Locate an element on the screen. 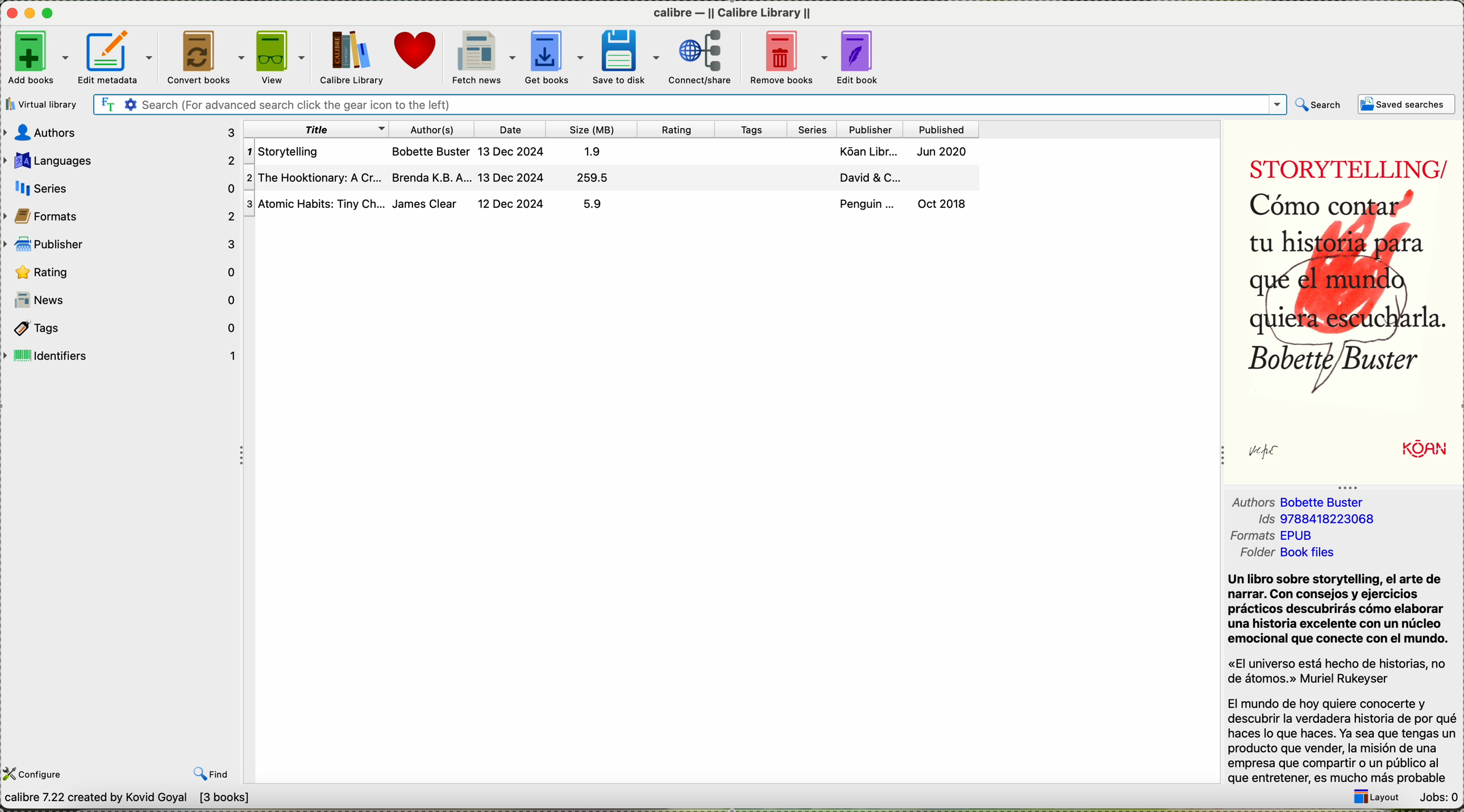 This screenshot has height=812, width=1464. folder Book files is located at coordinates (1254, 555).